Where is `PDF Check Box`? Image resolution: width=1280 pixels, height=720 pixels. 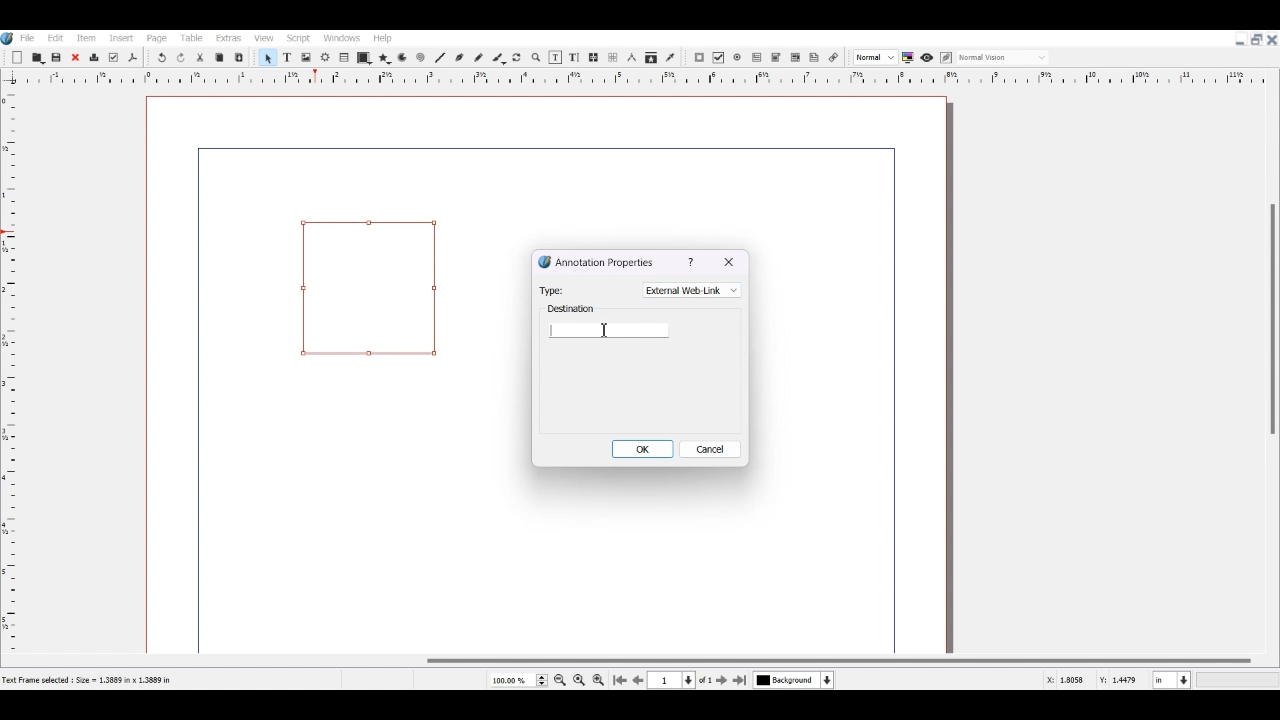 PDF Check Box is located at coordinates (719, 58).